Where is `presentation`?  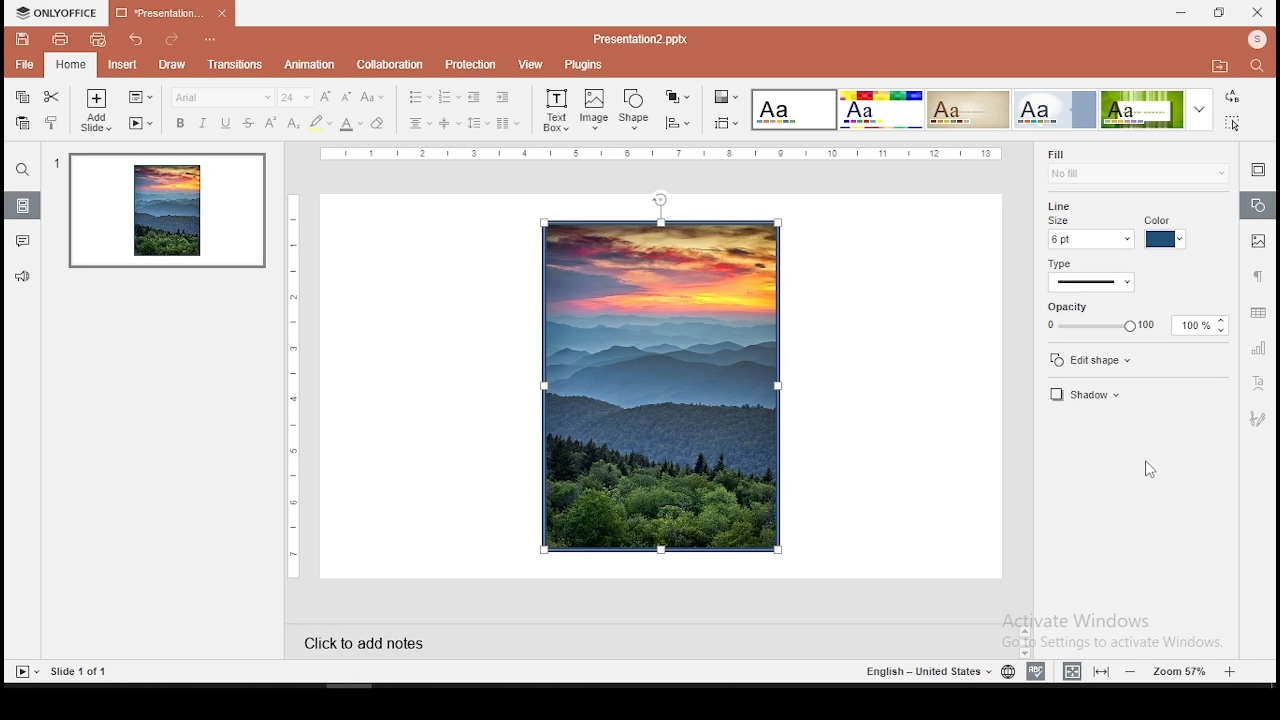 presentation is located at coordinates (172, 12).